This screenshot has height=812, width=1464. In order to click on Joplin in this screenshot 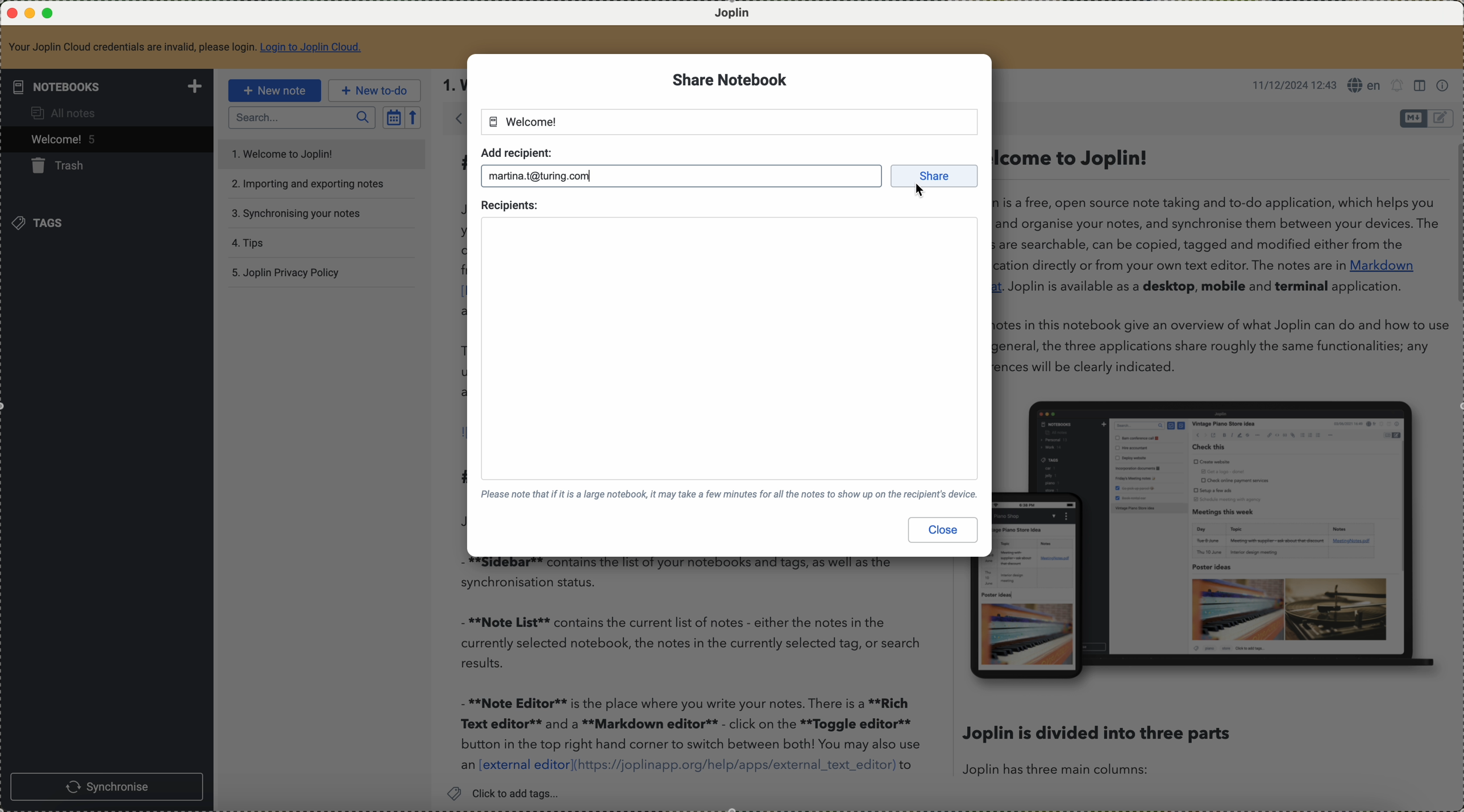, I will do `click(734, 14)`.